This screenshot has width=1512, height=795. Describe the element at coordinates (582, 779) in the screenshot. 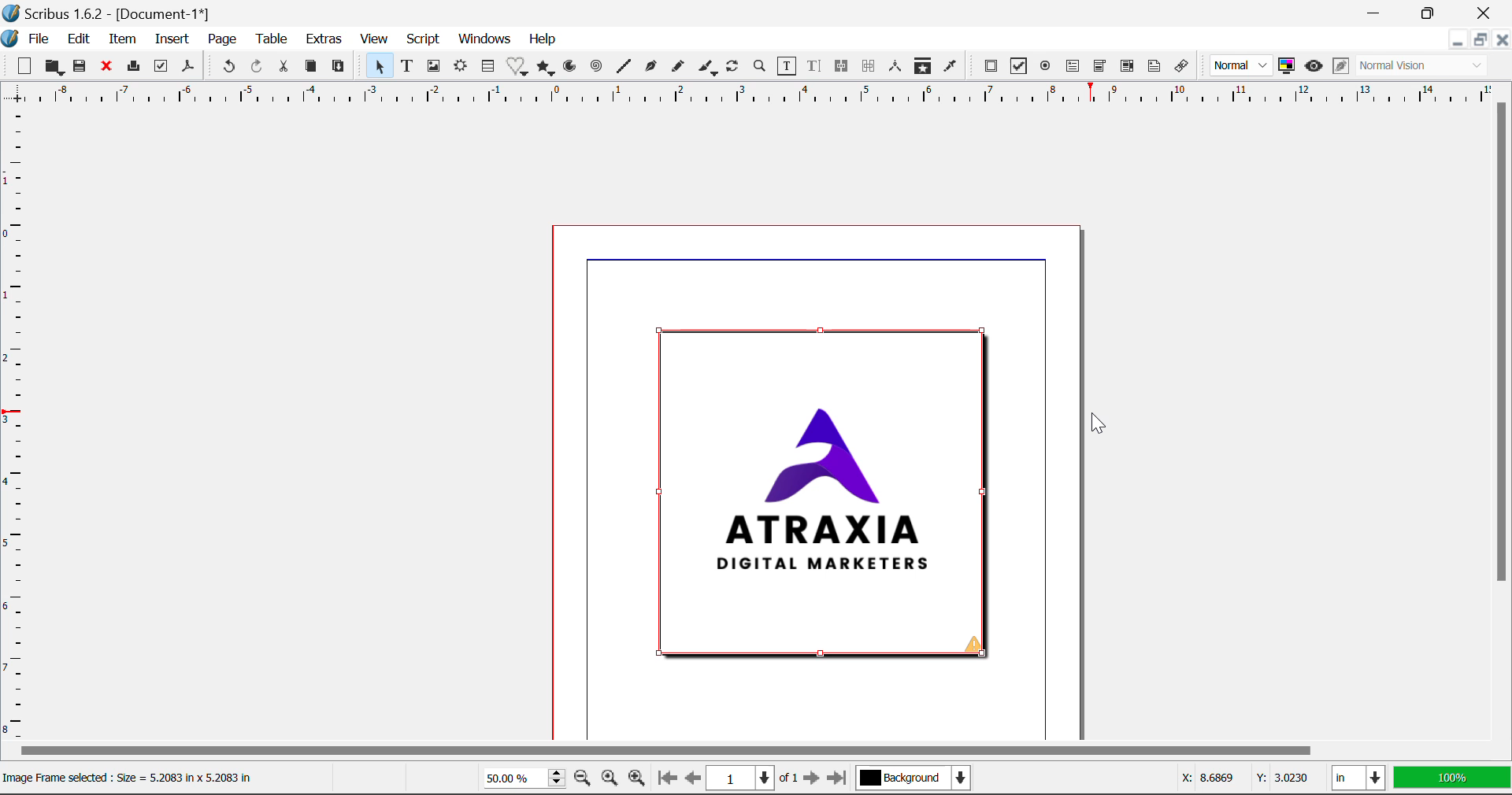

I see `Zoom out` at that location.